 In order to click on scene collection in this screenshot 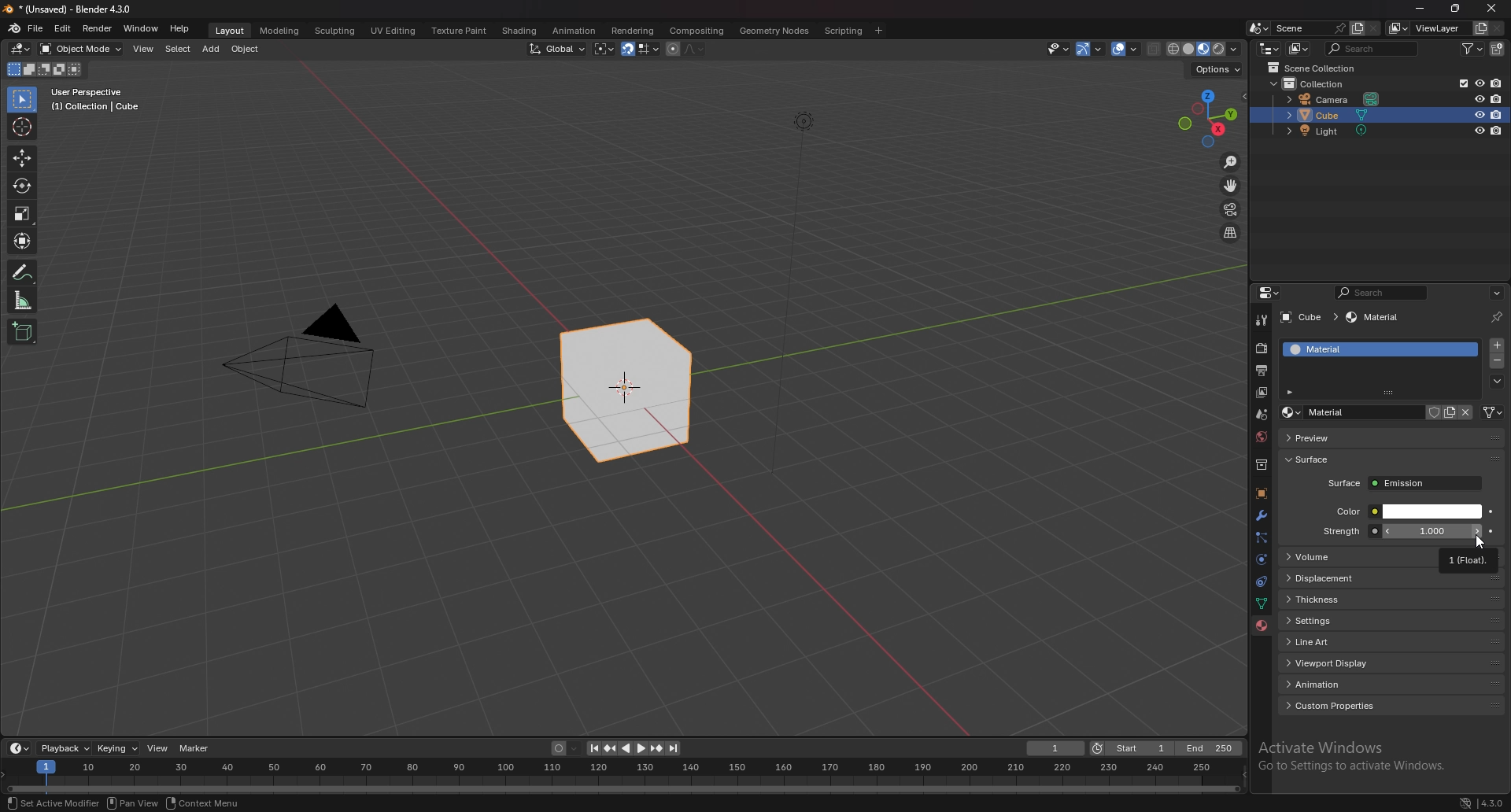, I will do `click(1316, 68)`.